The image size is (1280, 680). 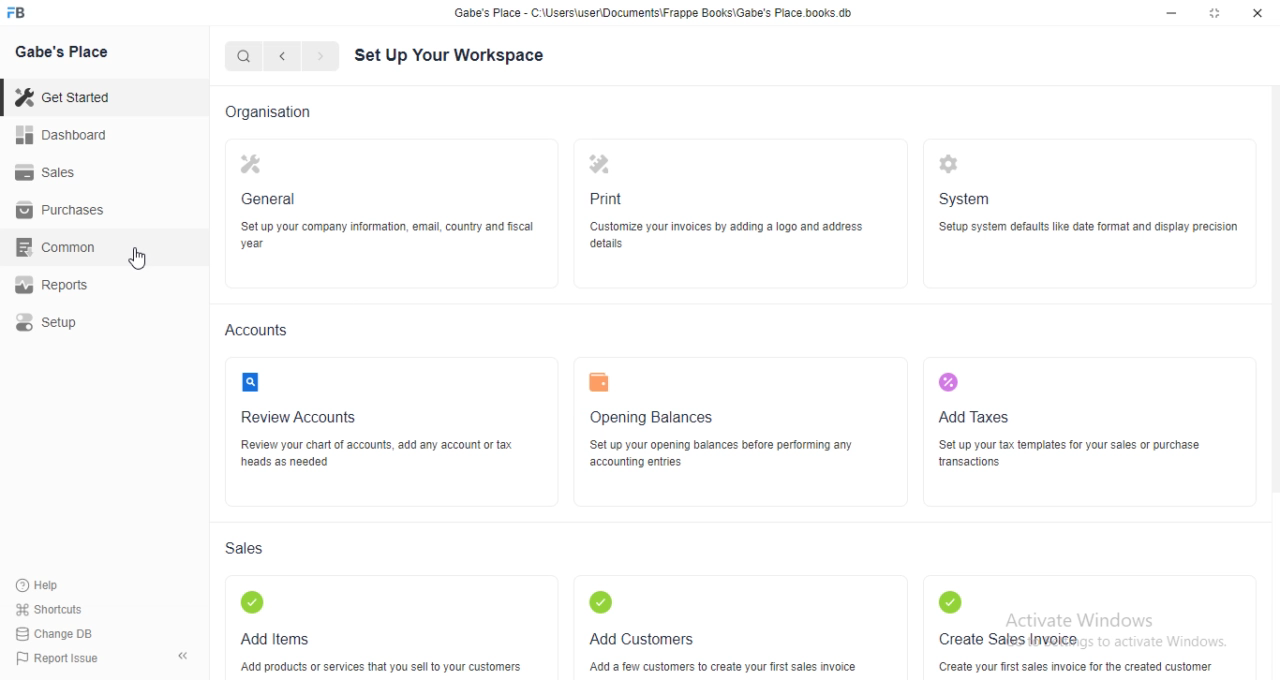 I want to click on Organisation, so click(x=271, y=111).